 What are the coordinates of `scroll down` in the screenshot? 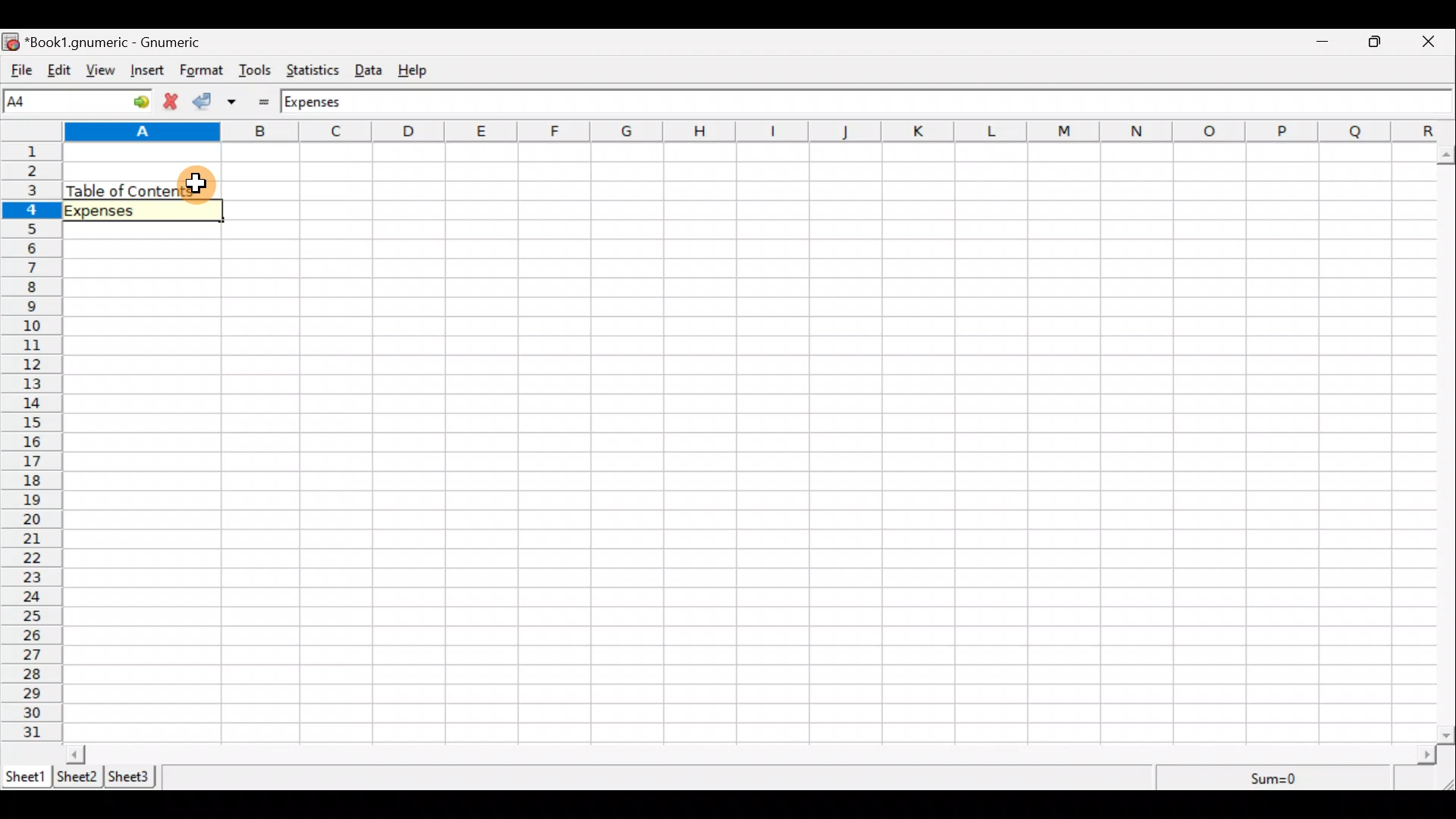 It's located at (1447, 735).